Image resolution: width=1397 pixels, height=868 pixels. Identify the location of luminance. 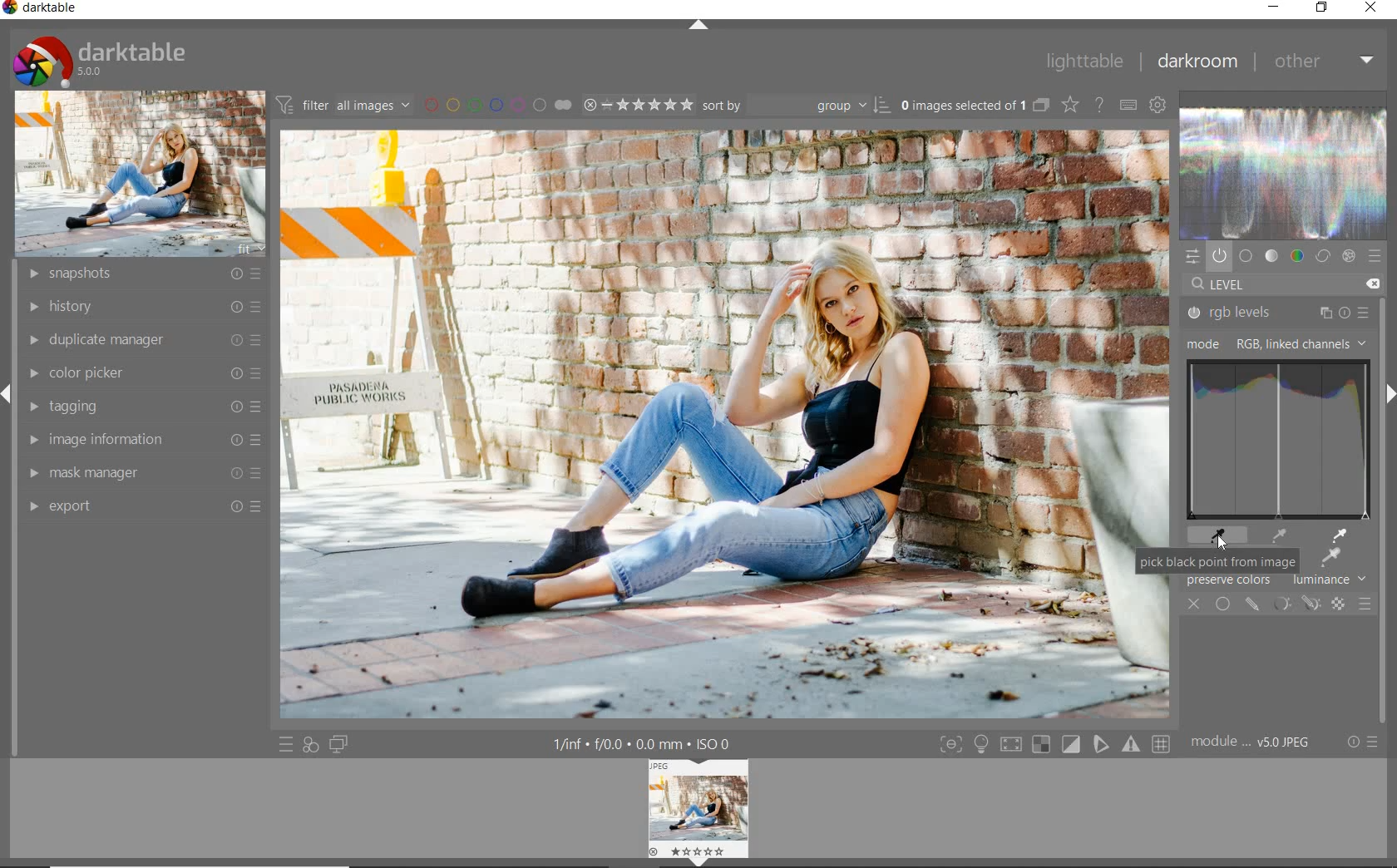
(1328, 580).